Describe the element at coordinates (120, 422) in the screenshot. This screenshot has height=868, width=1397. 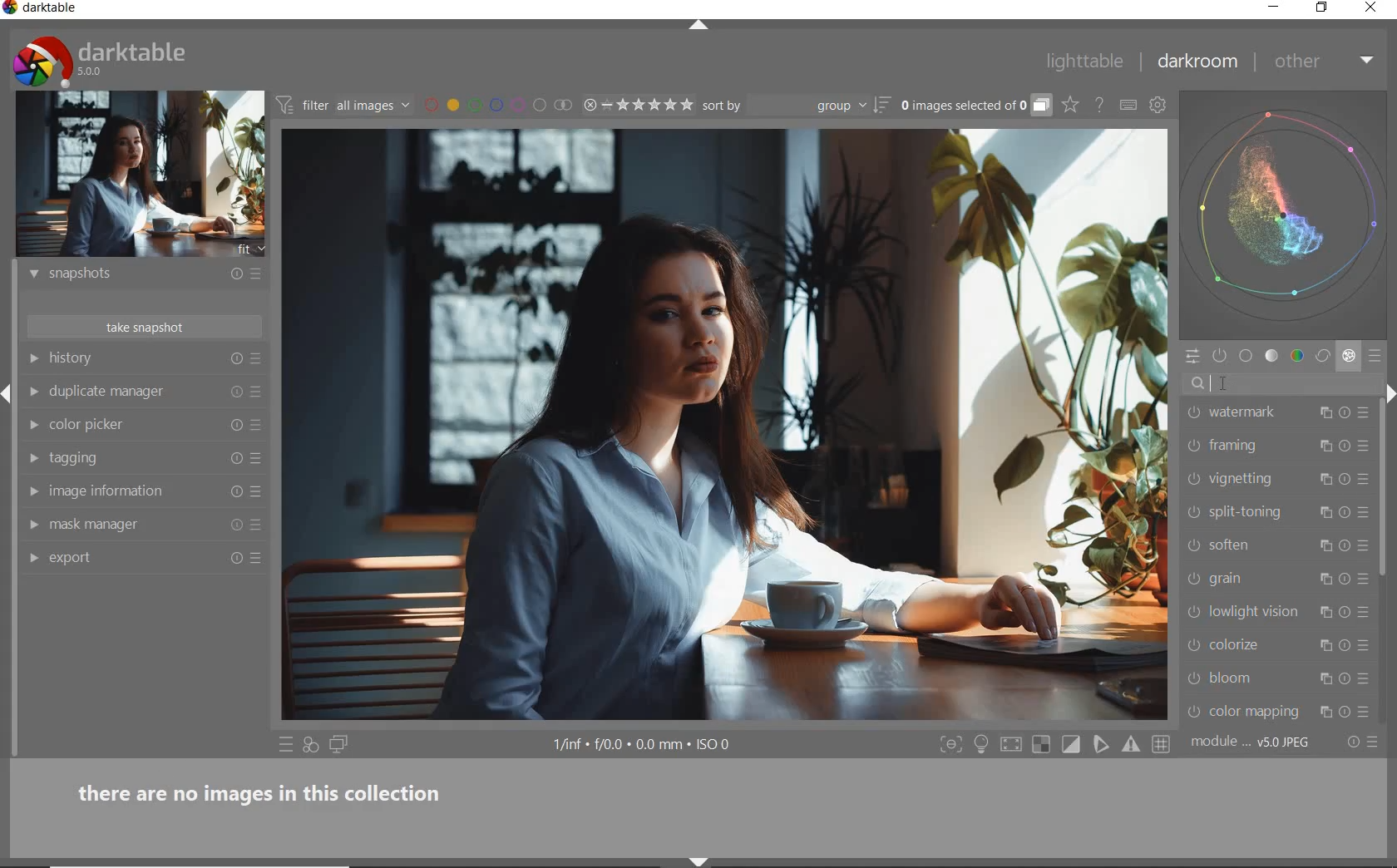
I see `color picker` at that location.